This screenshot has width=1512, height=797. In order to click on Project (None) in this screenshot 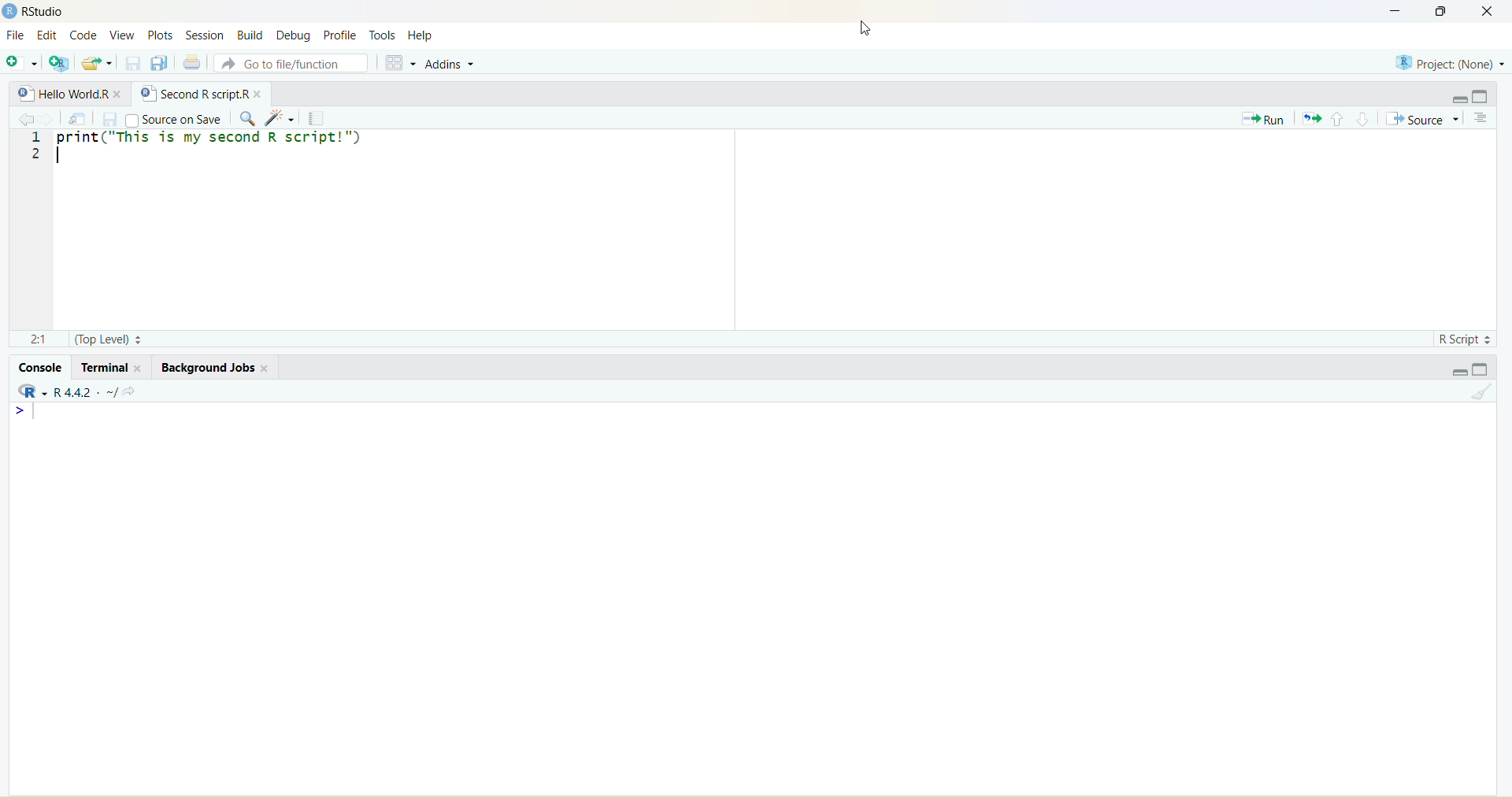, I will do `click(1447, 61)`.